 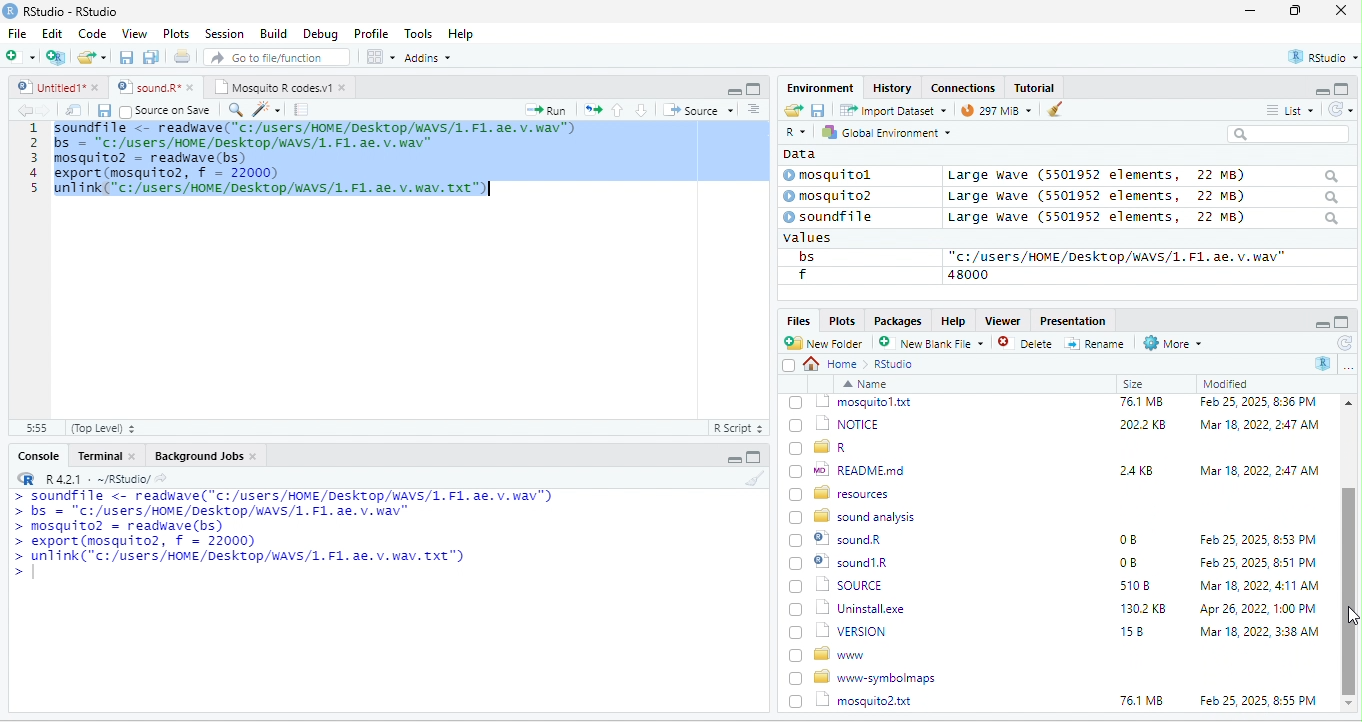 I want to click on ‘Mar 18, 2022, 2:47 AM, so click(x=1258, y=544).